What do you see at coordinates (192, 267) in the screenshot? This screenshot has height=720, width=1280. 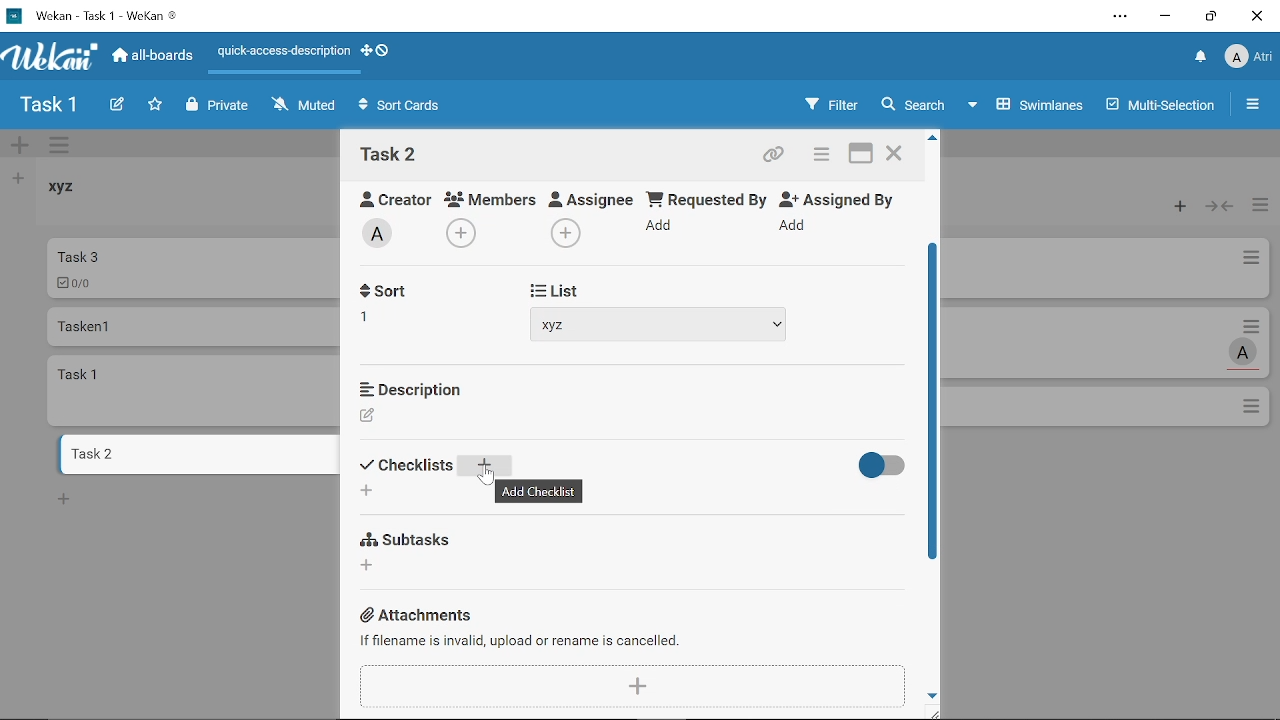 I see `Car` at bounding box center [192, 267].